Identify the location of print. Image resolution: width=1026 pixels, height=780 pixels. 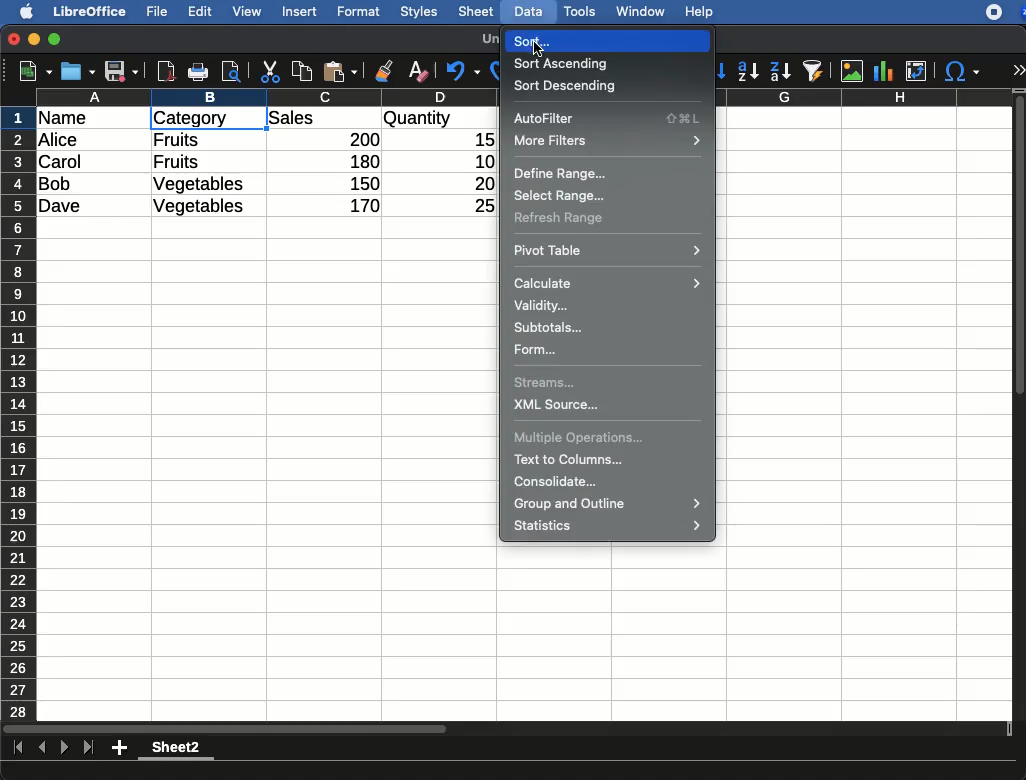
(198, 72).